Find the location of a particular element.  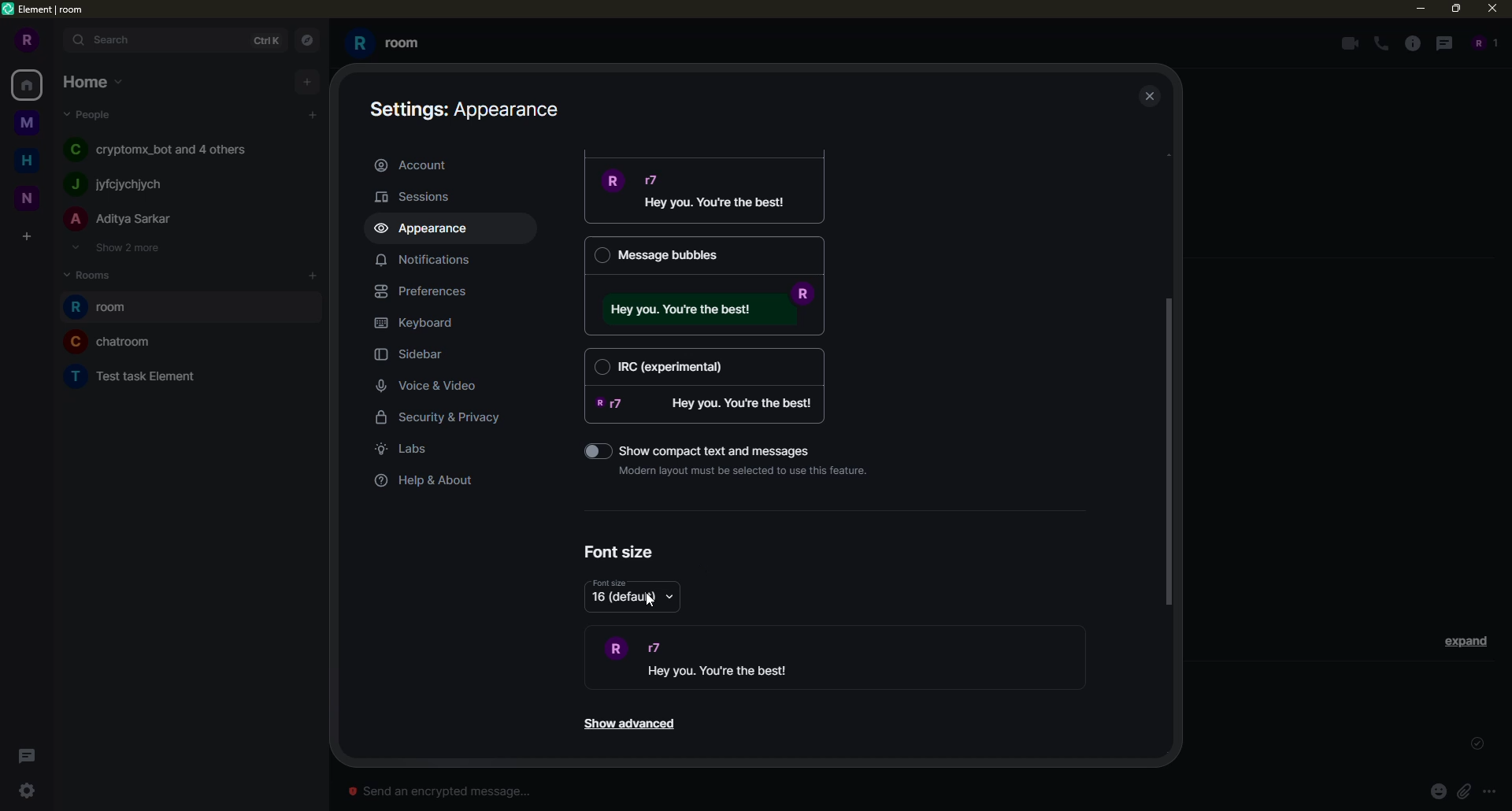

pin is located at coordinates (1463, 791).